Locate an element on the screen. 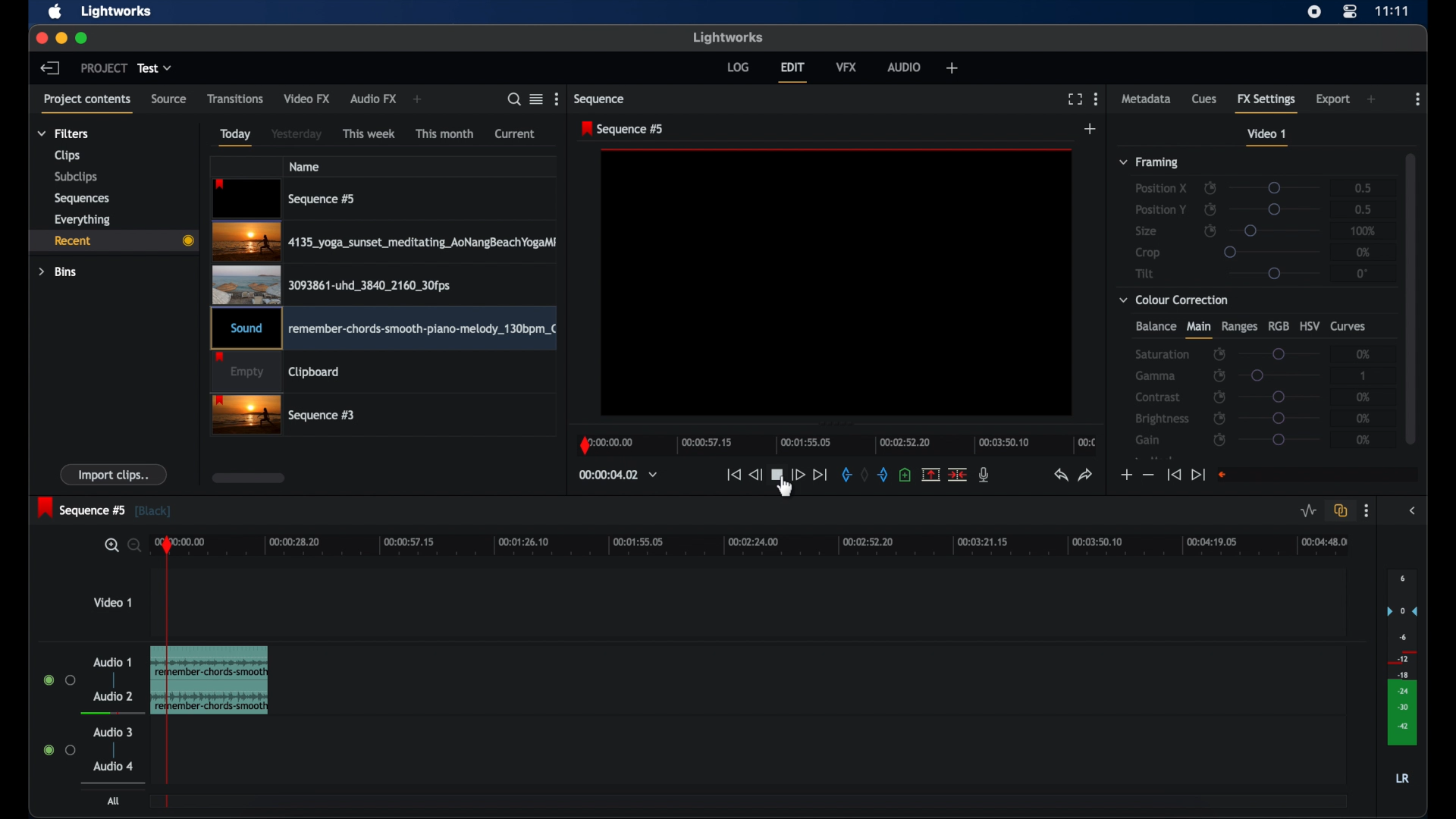 Image resolution: width=1456 pixels, height=819 pixels. all is located at coordinates (114, 801).